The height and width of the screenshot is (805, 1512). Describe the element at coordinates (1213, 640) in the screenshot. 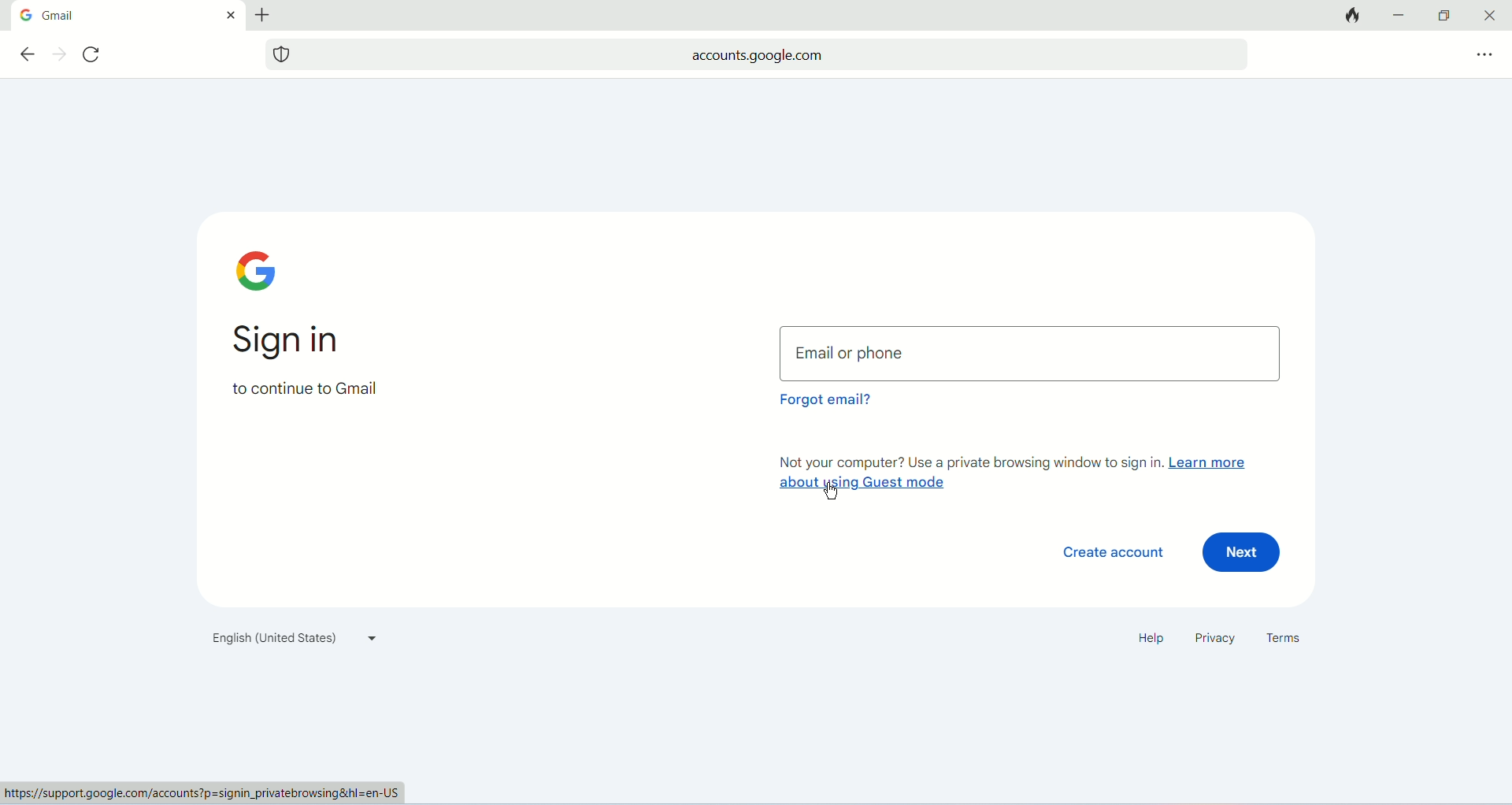

I see `privacy` at that location.